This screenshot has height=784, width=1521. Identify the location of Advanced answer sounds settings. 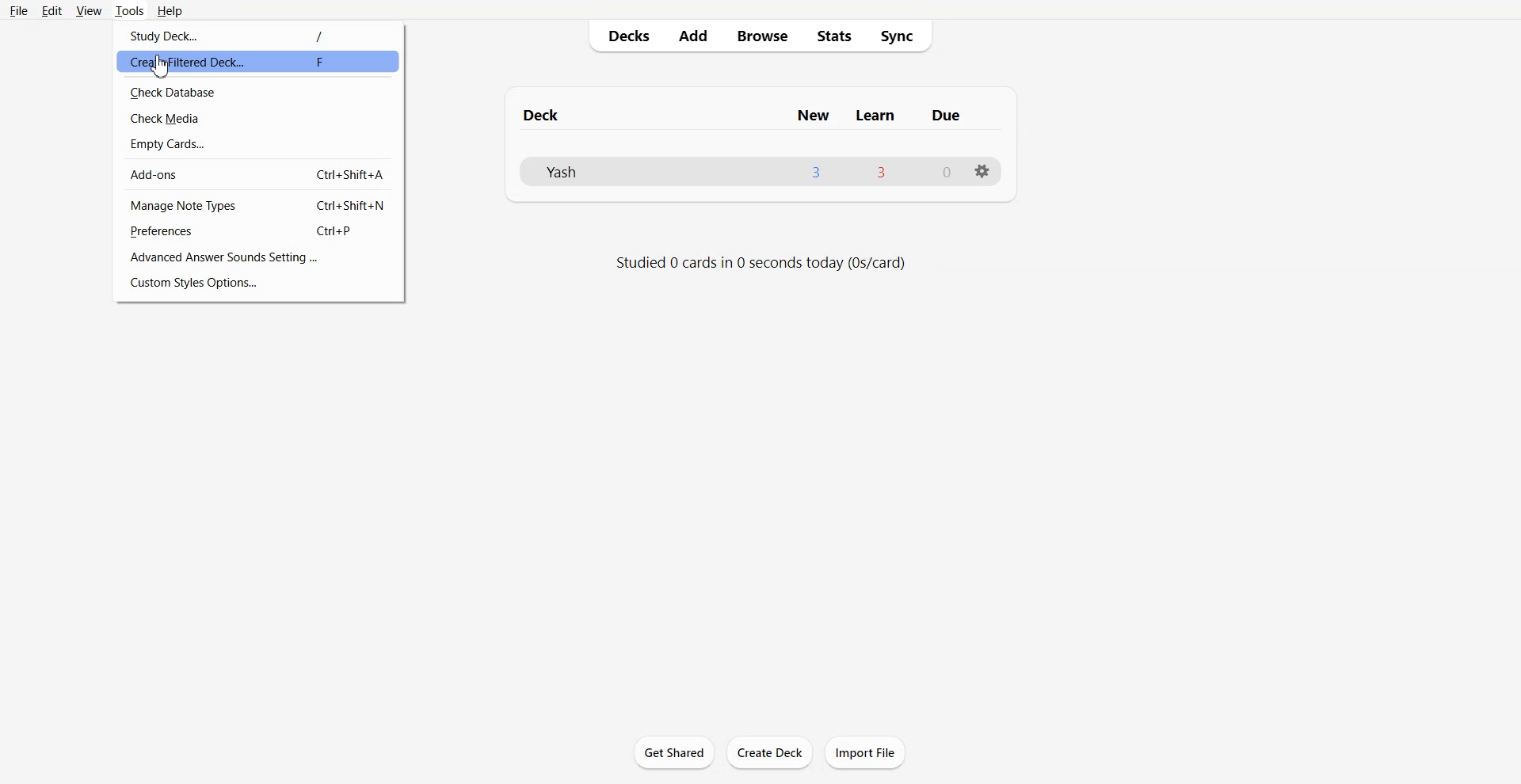
(258, 257).